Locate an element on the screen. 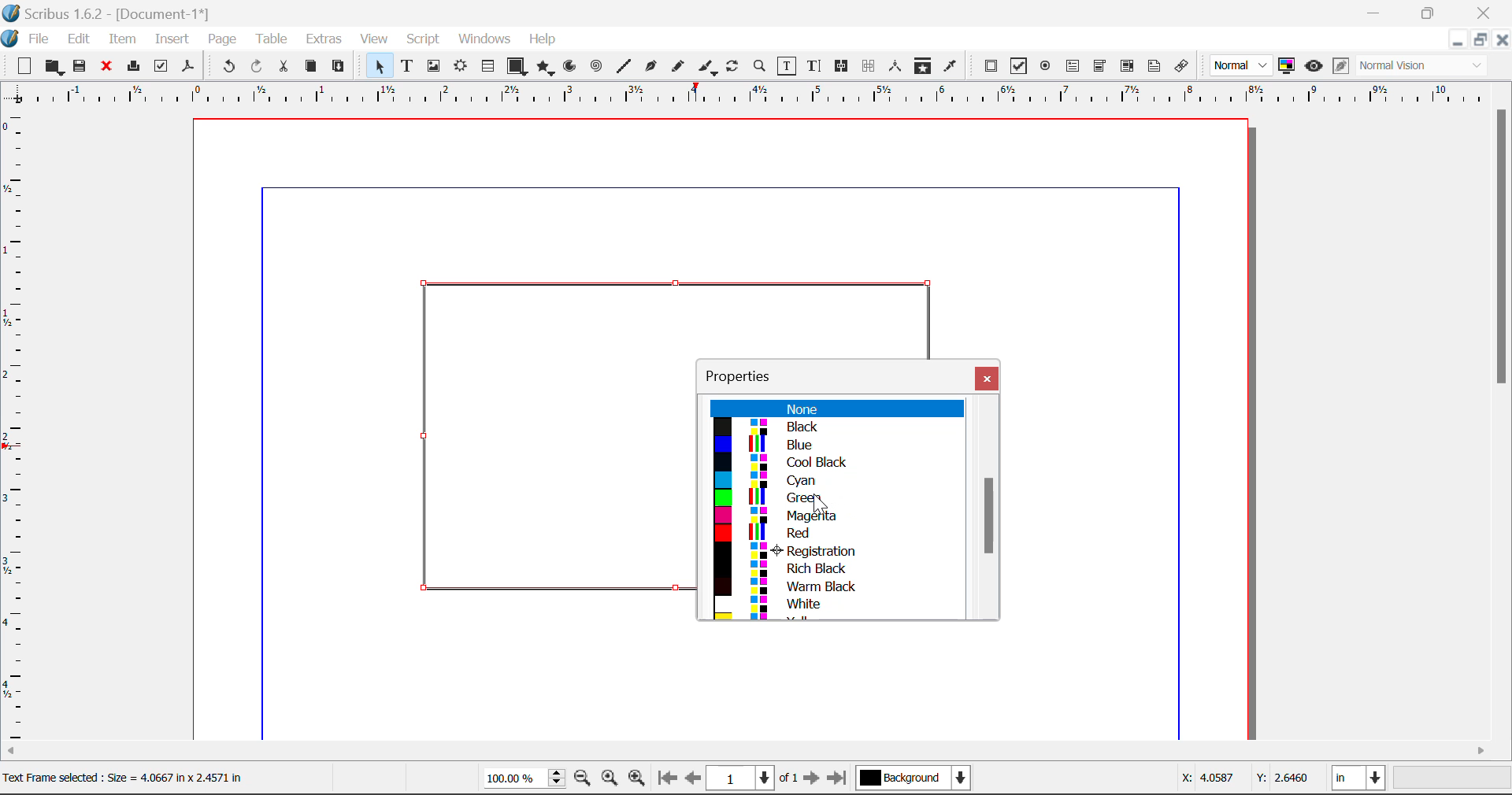 The image size is (1512, 795). Text Annotation is located at coordinates (1154, 66).